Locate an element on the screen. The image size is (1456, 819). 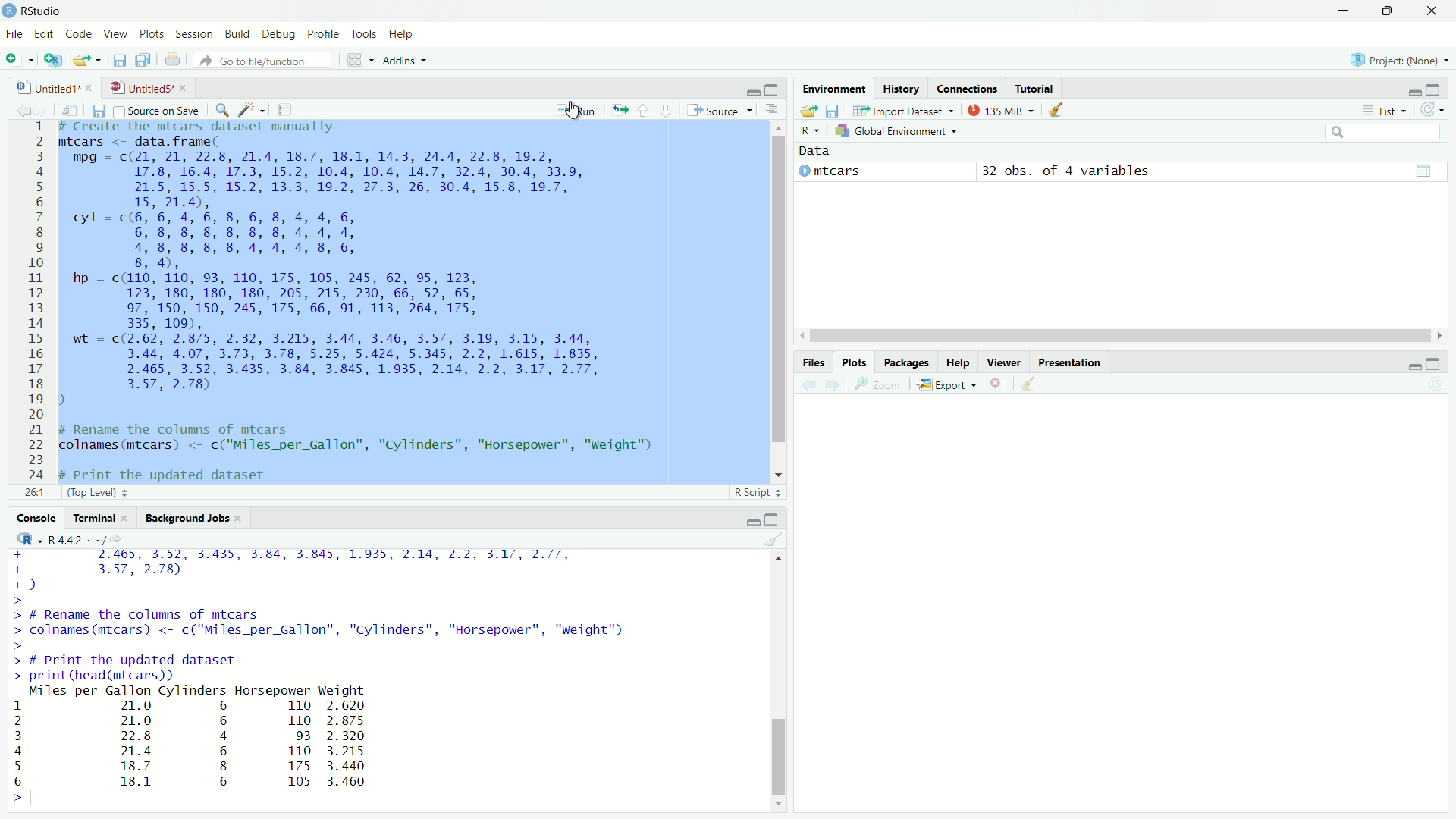
refresh is located at coordinates (1435, 110).